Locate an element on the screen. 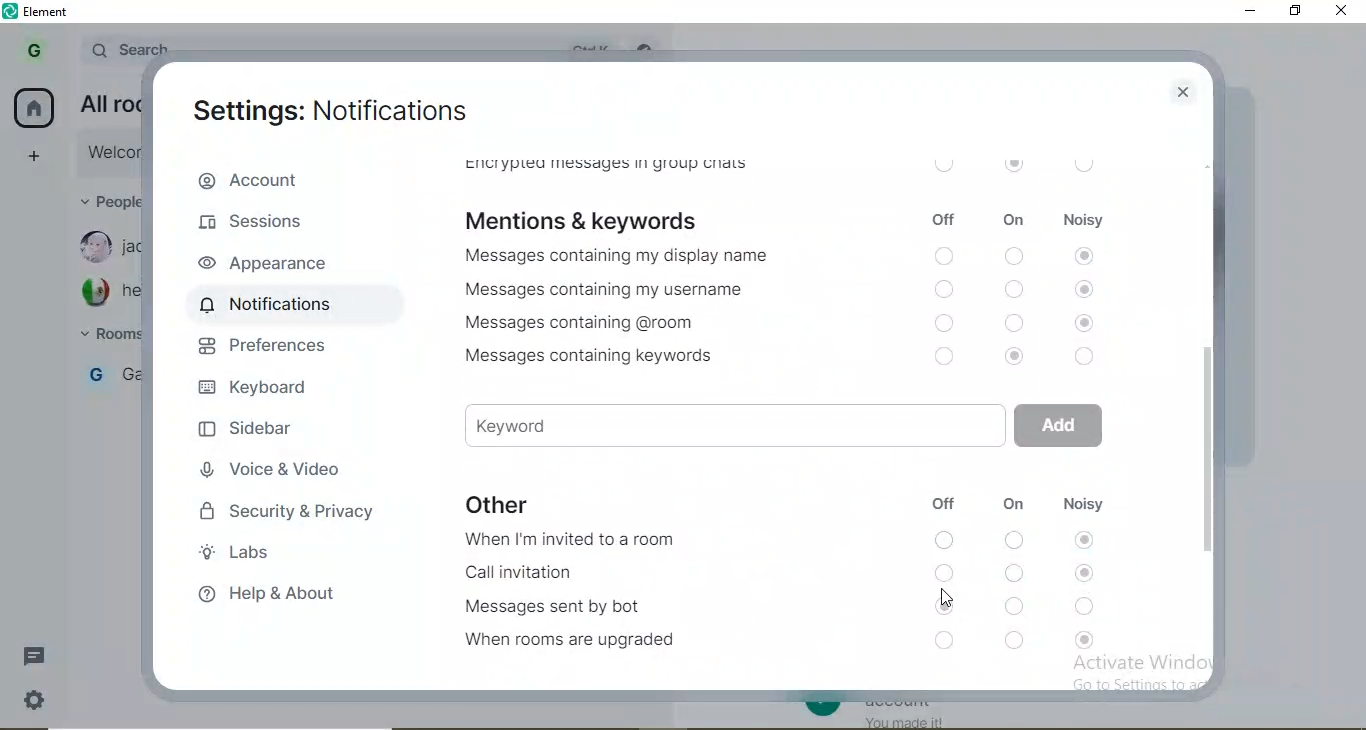  add space is located at coordinates (37, 156).